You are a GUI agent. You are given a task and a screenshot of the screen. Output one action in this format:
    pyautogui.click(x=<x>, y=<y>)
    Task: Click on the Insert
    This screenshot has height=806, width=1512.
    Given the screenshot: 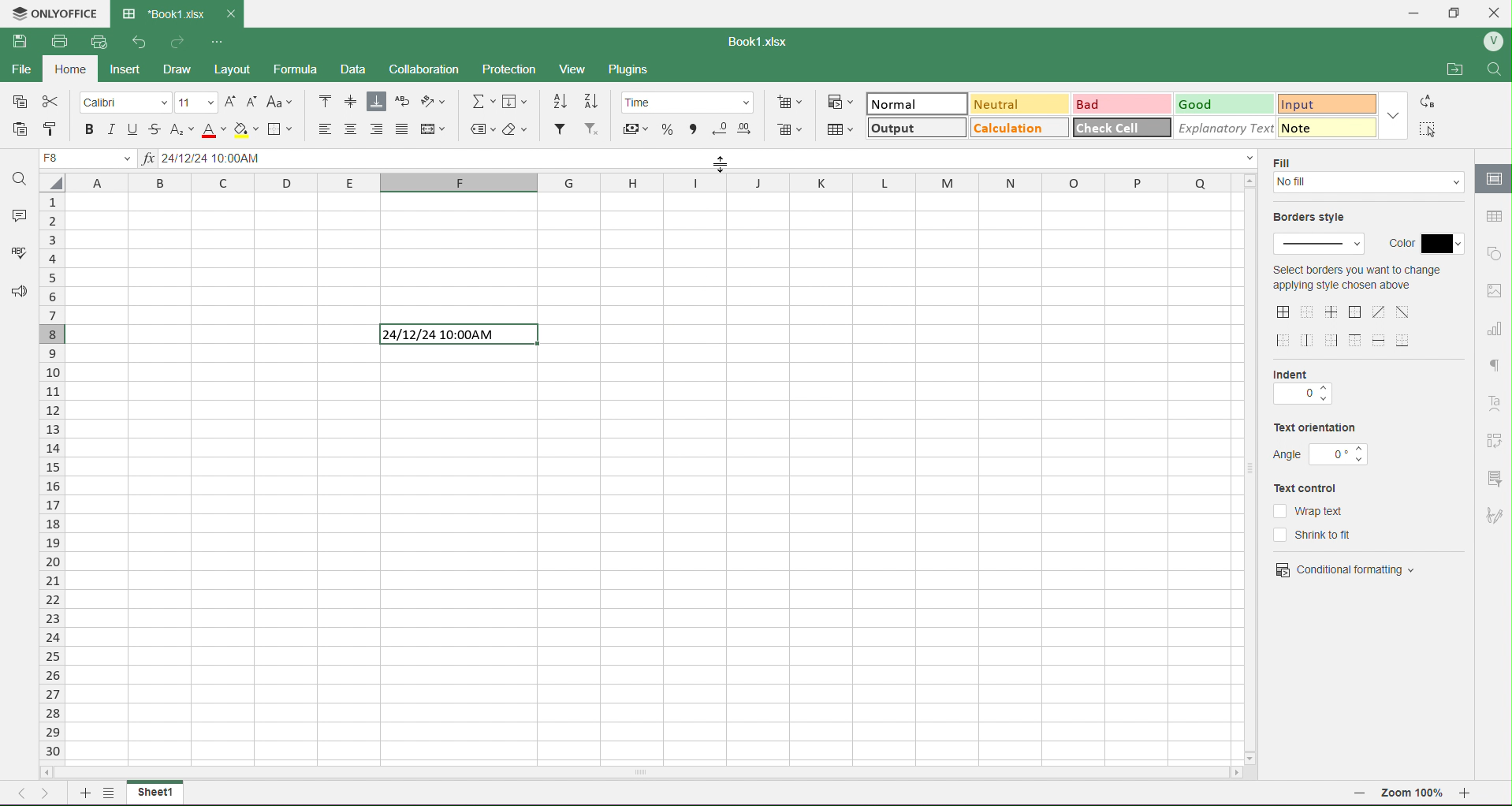 What is the action you would take?
    pyautogui.click(x=136, y=69)
    